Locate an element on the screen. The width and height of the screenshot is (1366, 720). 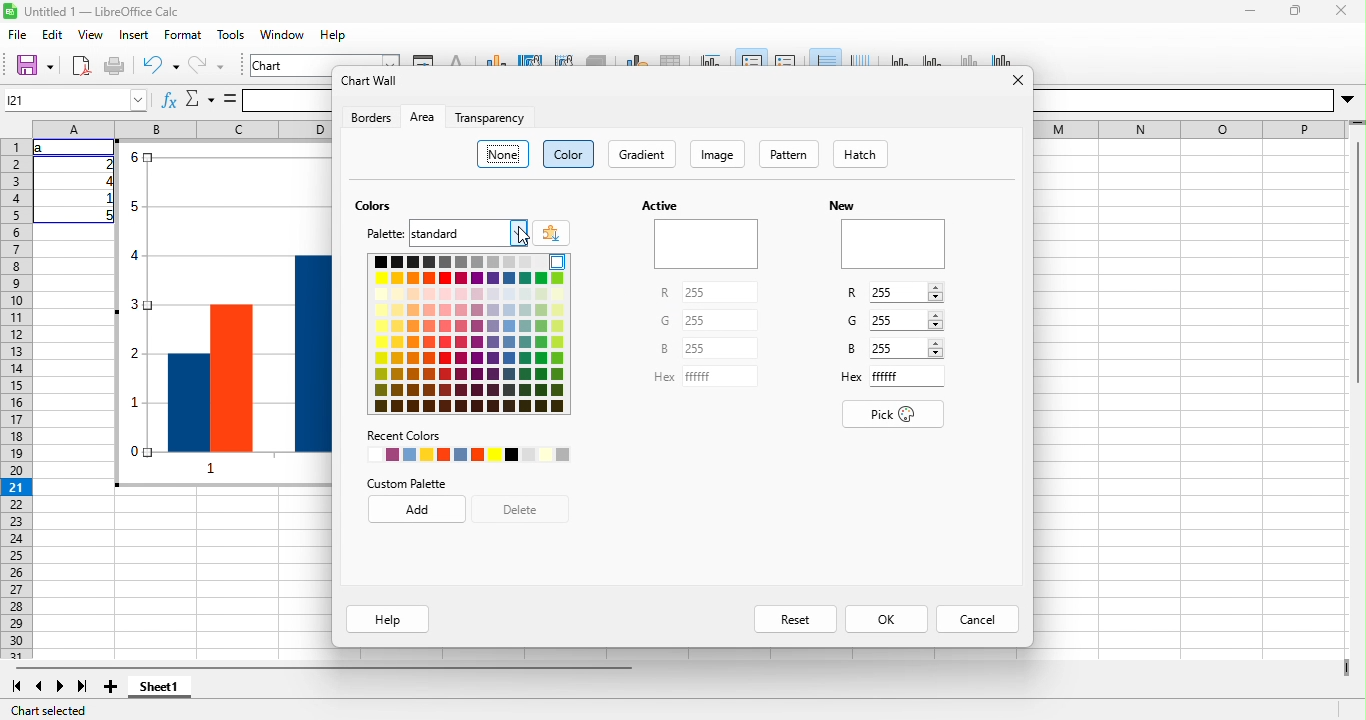
pick color is located at coordinates (893, 414).